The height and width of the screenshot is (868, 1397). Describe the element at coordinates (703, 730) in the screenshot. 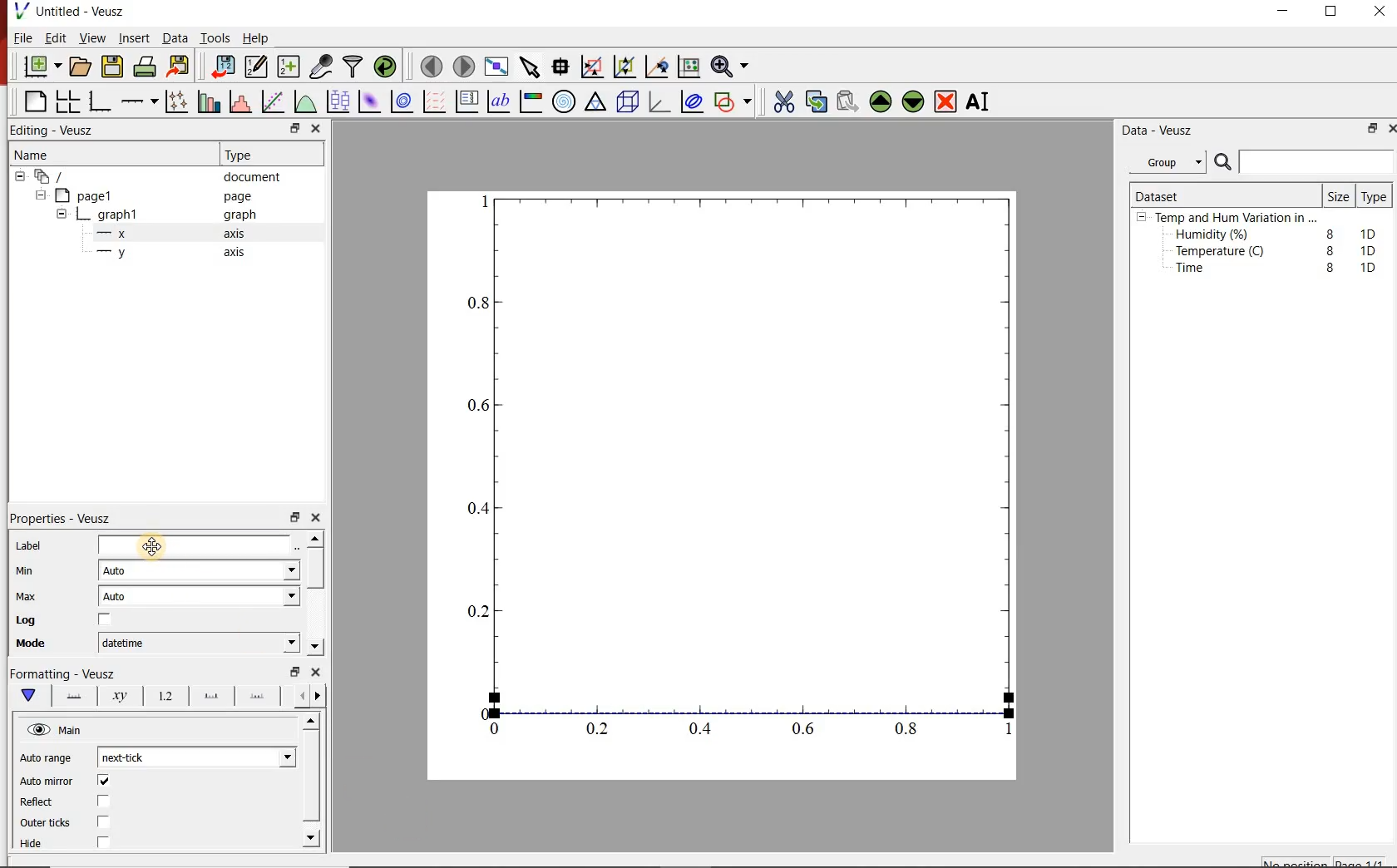

I see `0.4` at that location.